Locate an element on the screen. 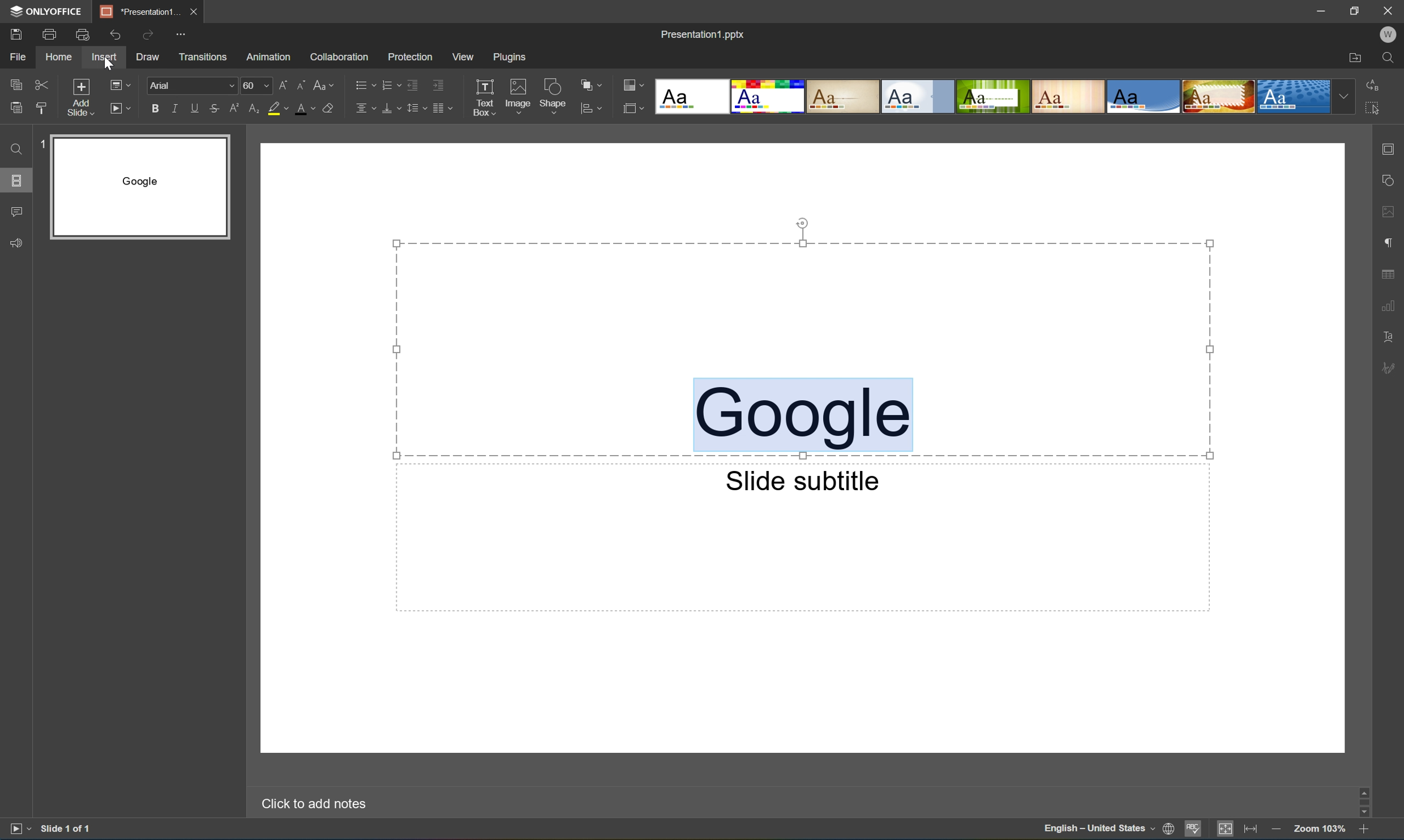 The height and width of the screenshot is (840, 1404). Classic is located at coordinates (844, 97).